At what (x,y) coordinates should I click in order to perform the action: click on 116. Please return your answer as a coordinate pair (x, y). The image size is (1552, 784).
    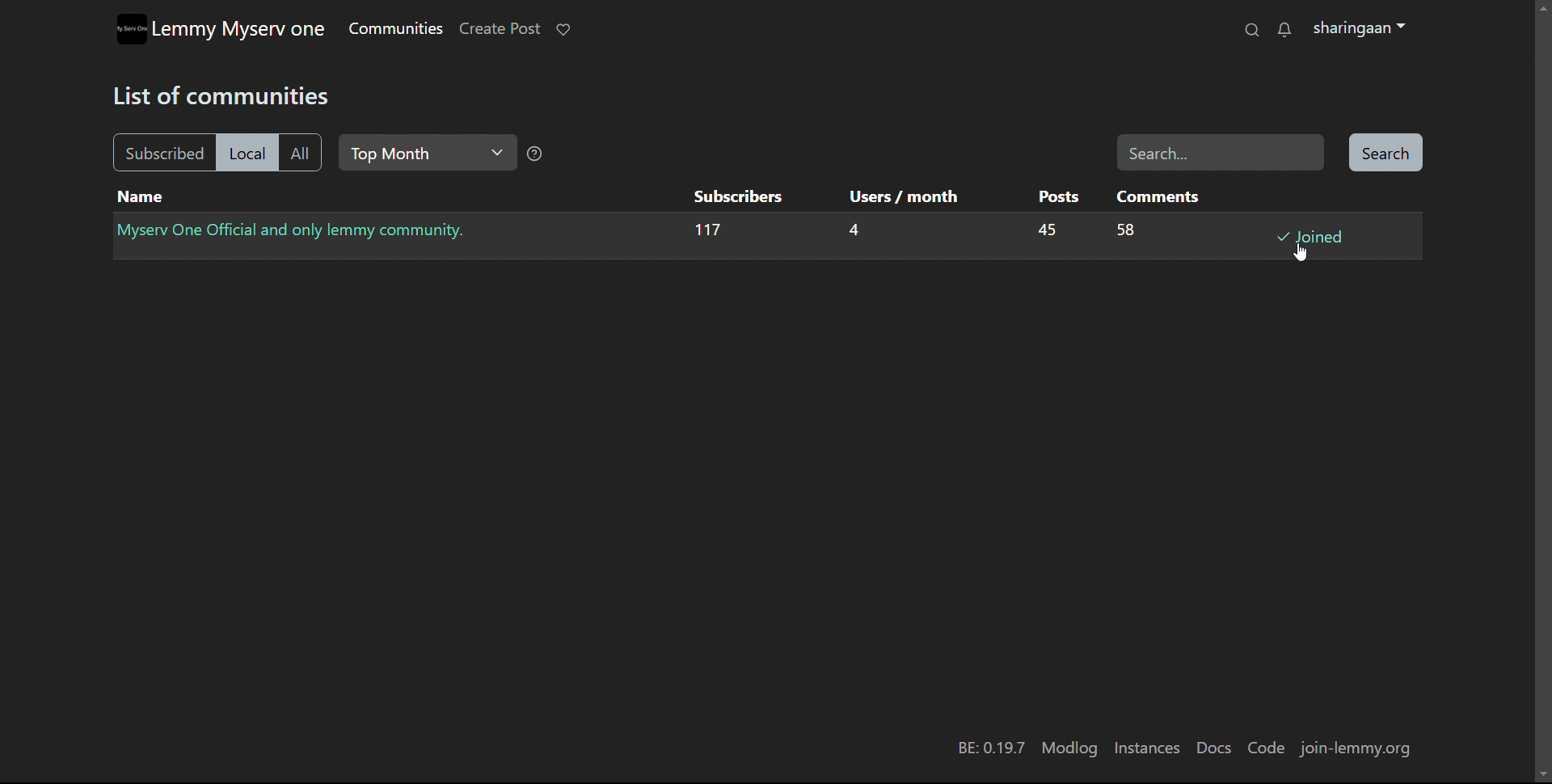
    Looking at the image, I should click on (706, 233).